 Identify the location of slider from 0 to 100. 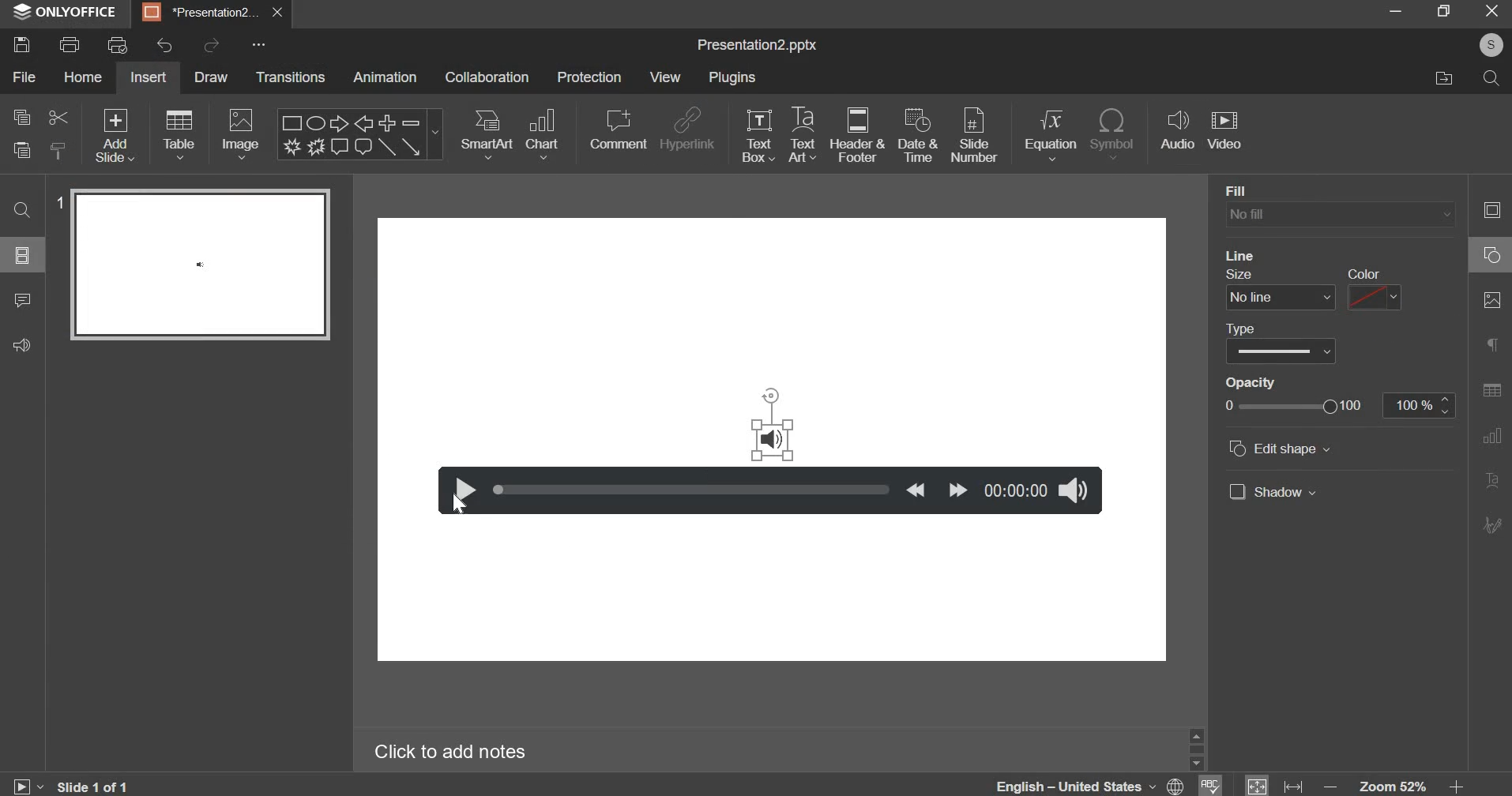
(1293, 406).